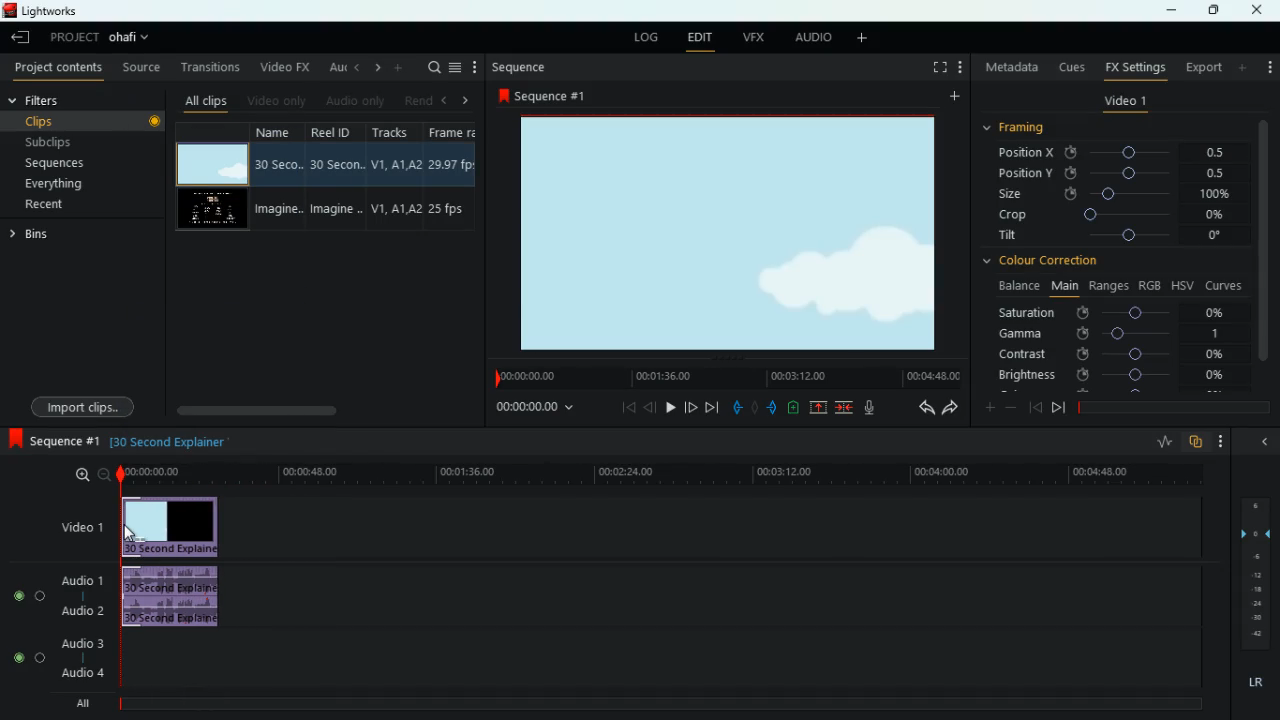  What do you see at coordinates (1110, 355) in the screenshot?
I see `contrast` at bounding box center [1110, 355].